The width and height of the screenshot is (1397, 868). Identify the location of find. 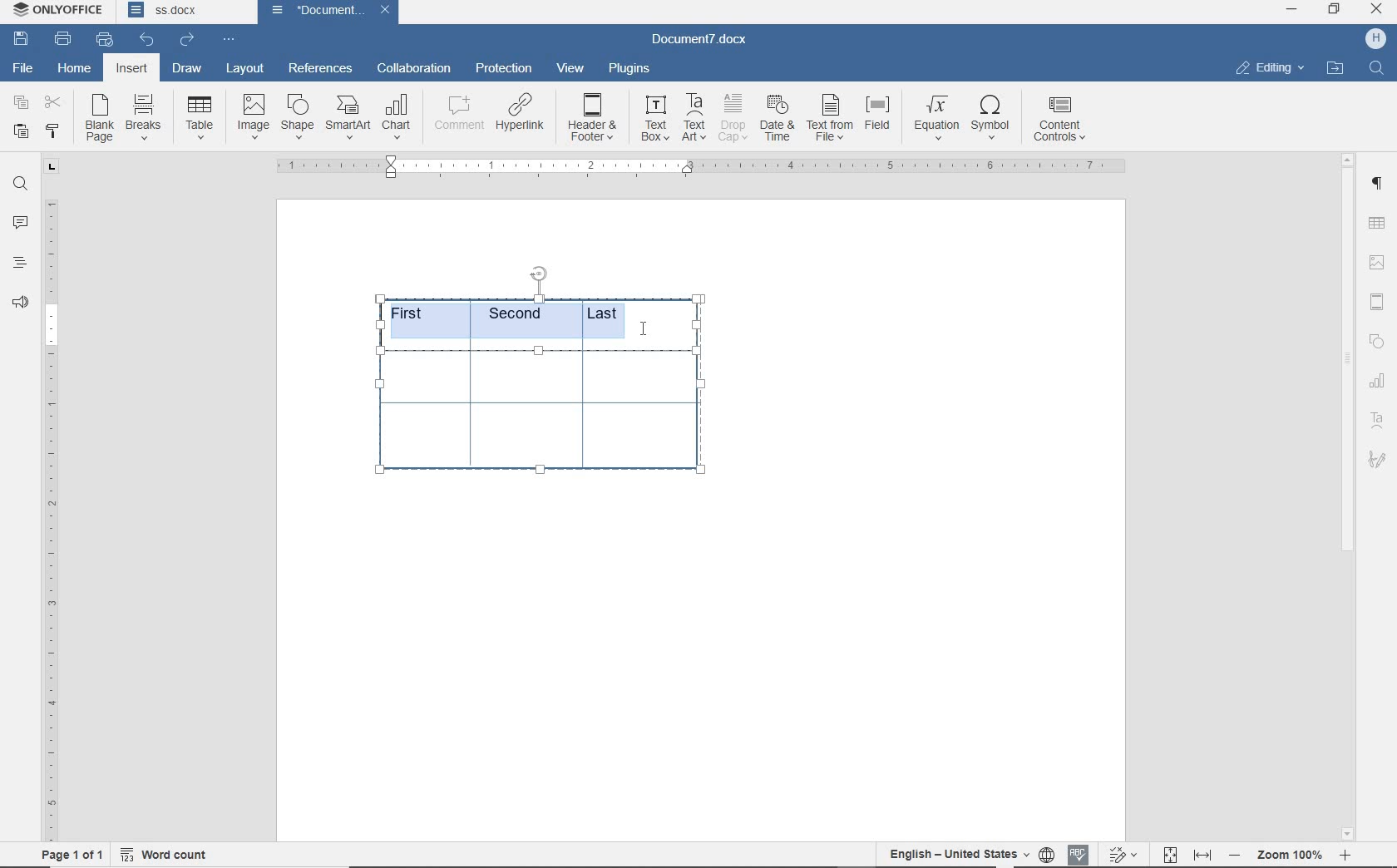
(20, 184).